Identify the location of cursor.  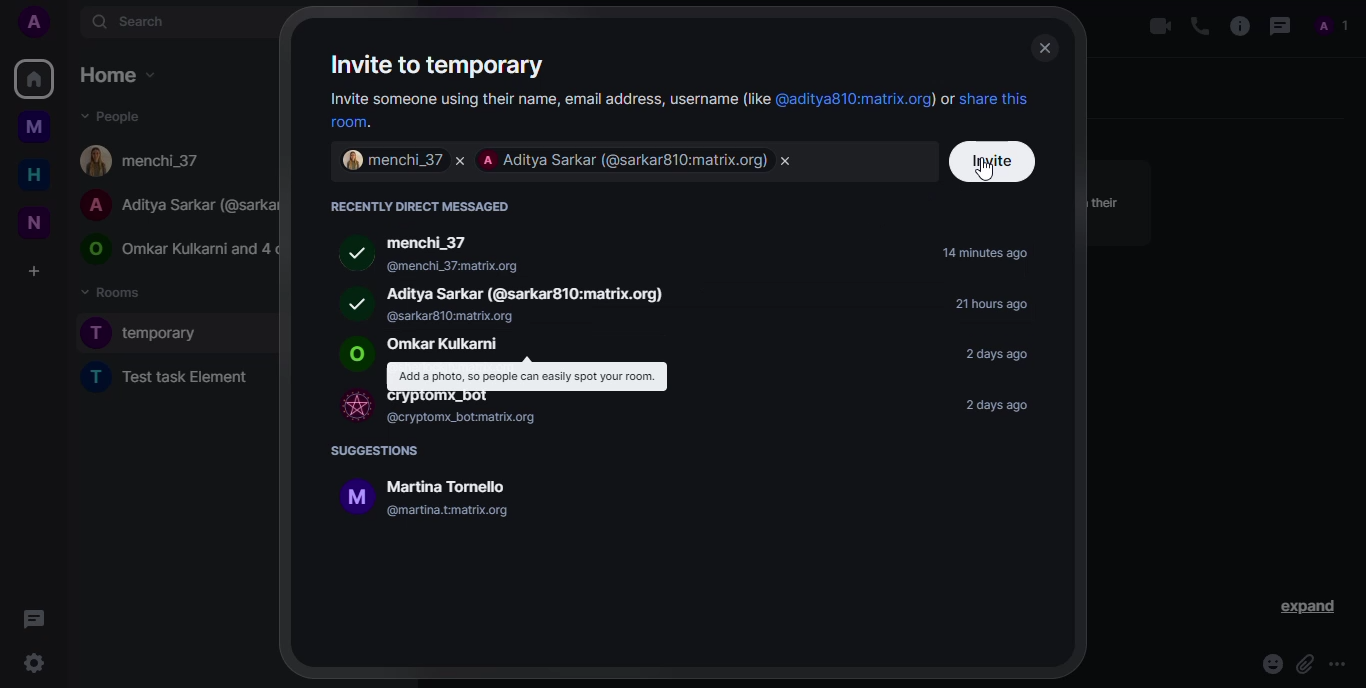
(981, 171).